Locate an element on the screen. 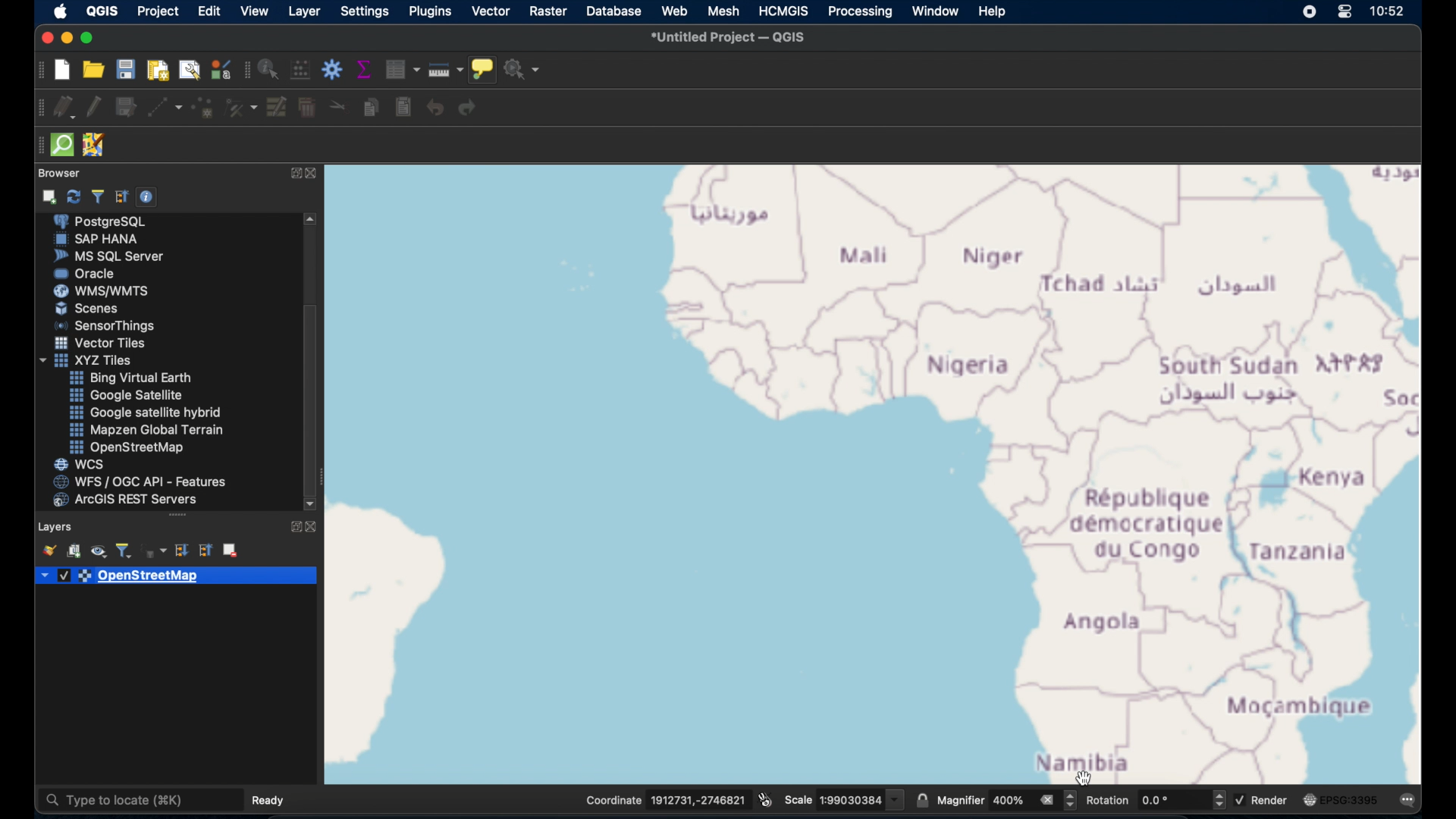 The width and height of the screenshot is (1456, 819). remove layer group is located at coordinates (230, 552).